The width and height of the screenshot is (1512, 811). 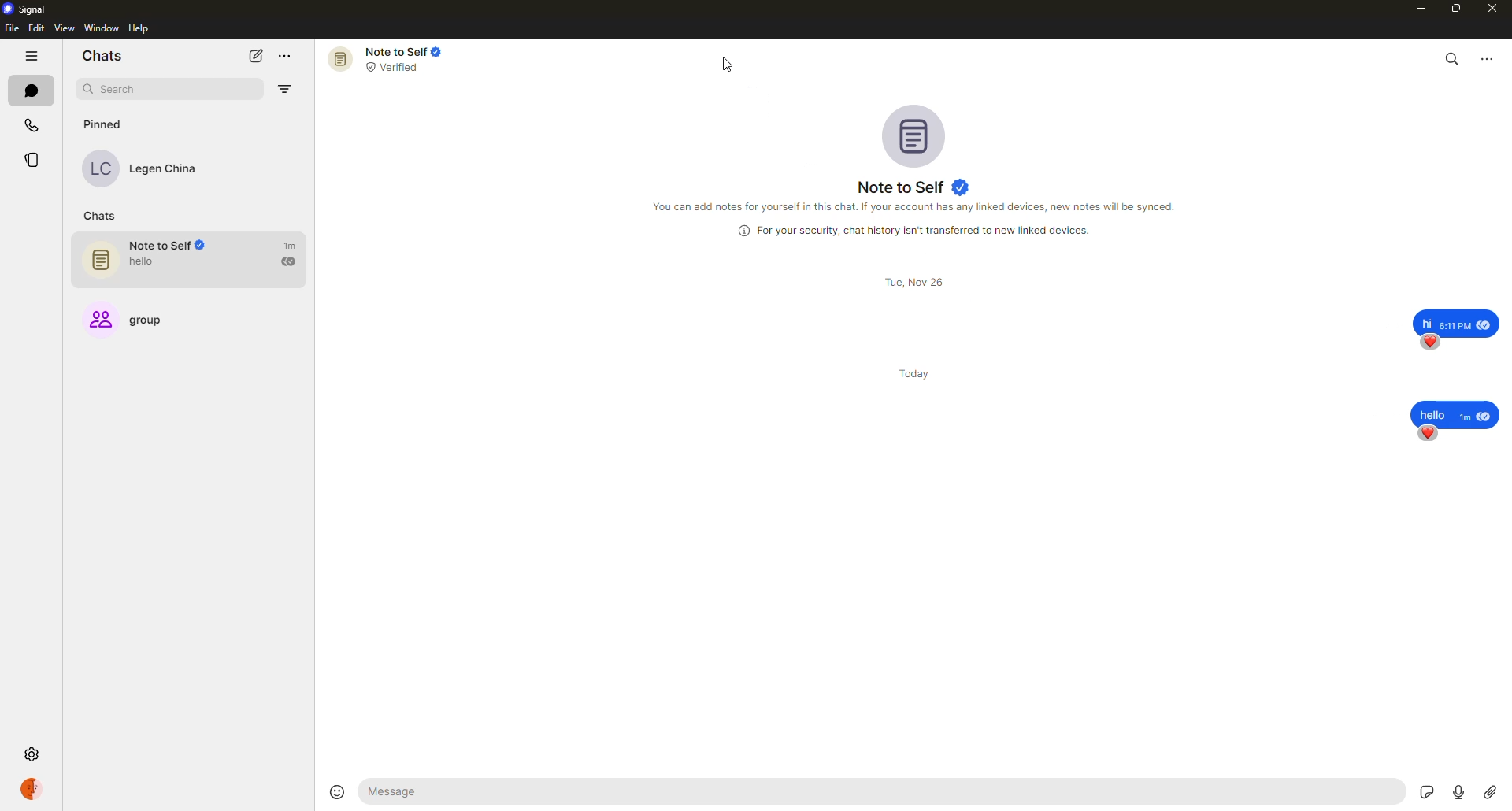 I want to click on contact, so click(x=151, y=169).